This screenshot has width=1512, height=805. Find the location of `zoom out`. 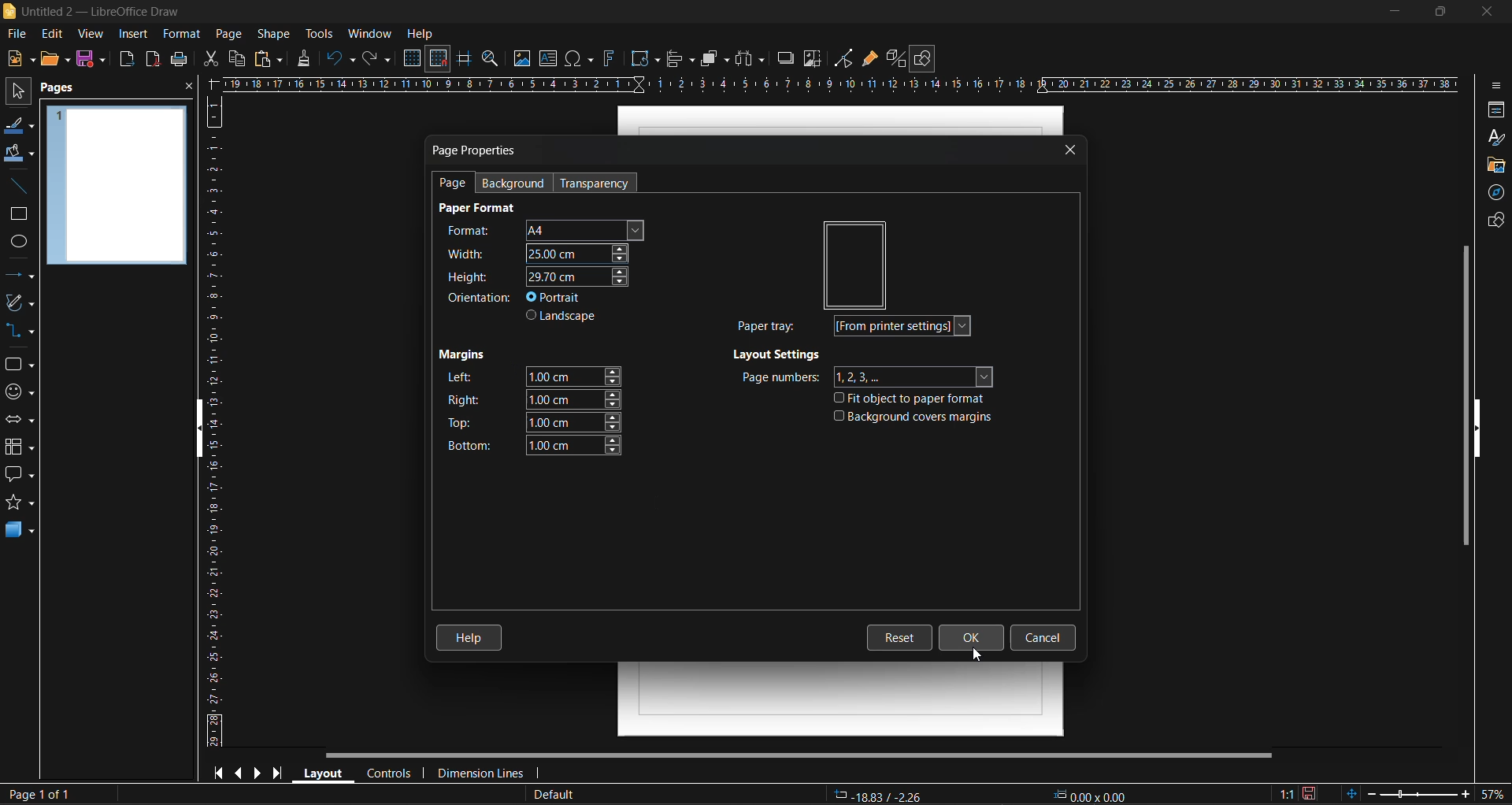

zoom out is located at coordinates (1371, 793).